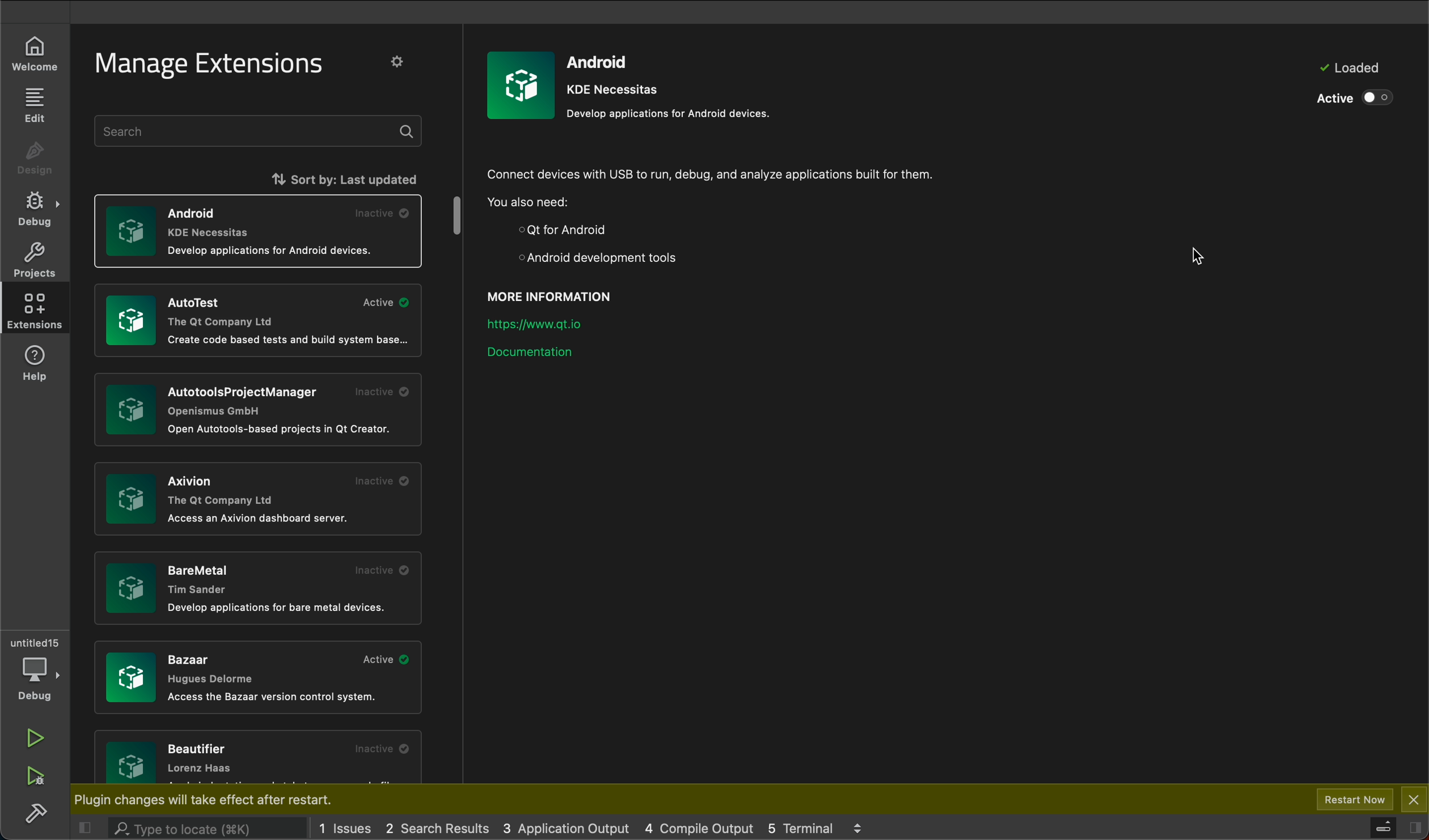  What do you see at coordinates (36, 739) in the screenshot?
I see `run` at bounding box center [36, 739].